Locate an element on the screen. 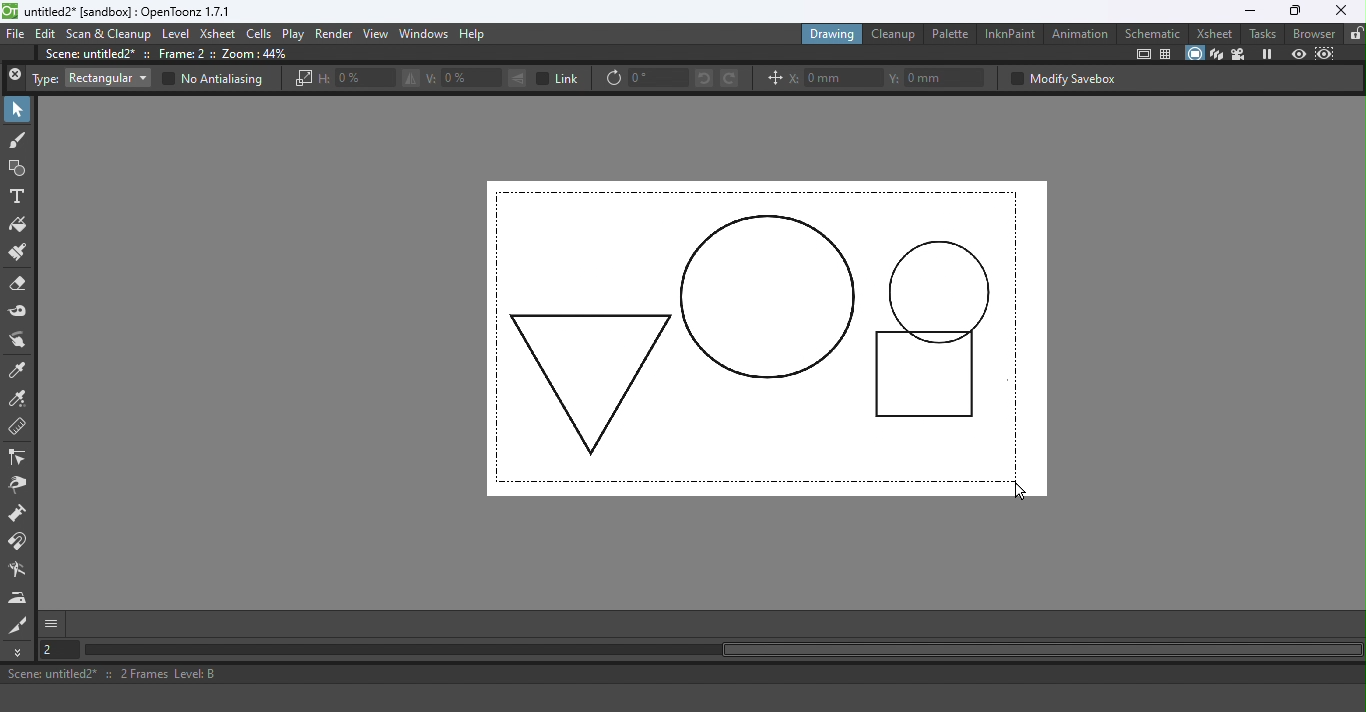  Type tool is located at coordinates (18, 196).